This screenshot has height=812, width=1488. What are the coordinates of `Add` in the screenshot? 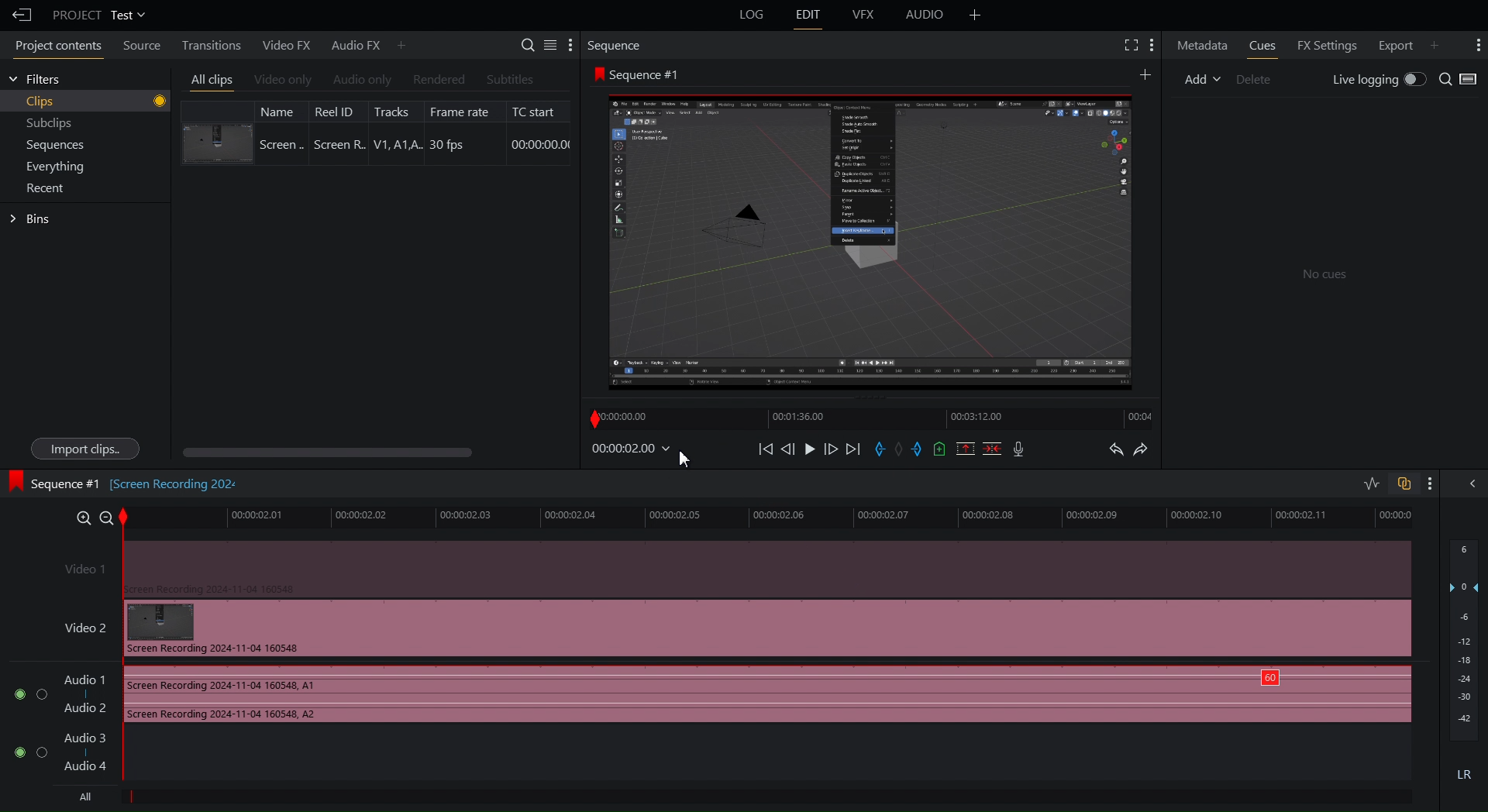 It's located at (1202, 77).